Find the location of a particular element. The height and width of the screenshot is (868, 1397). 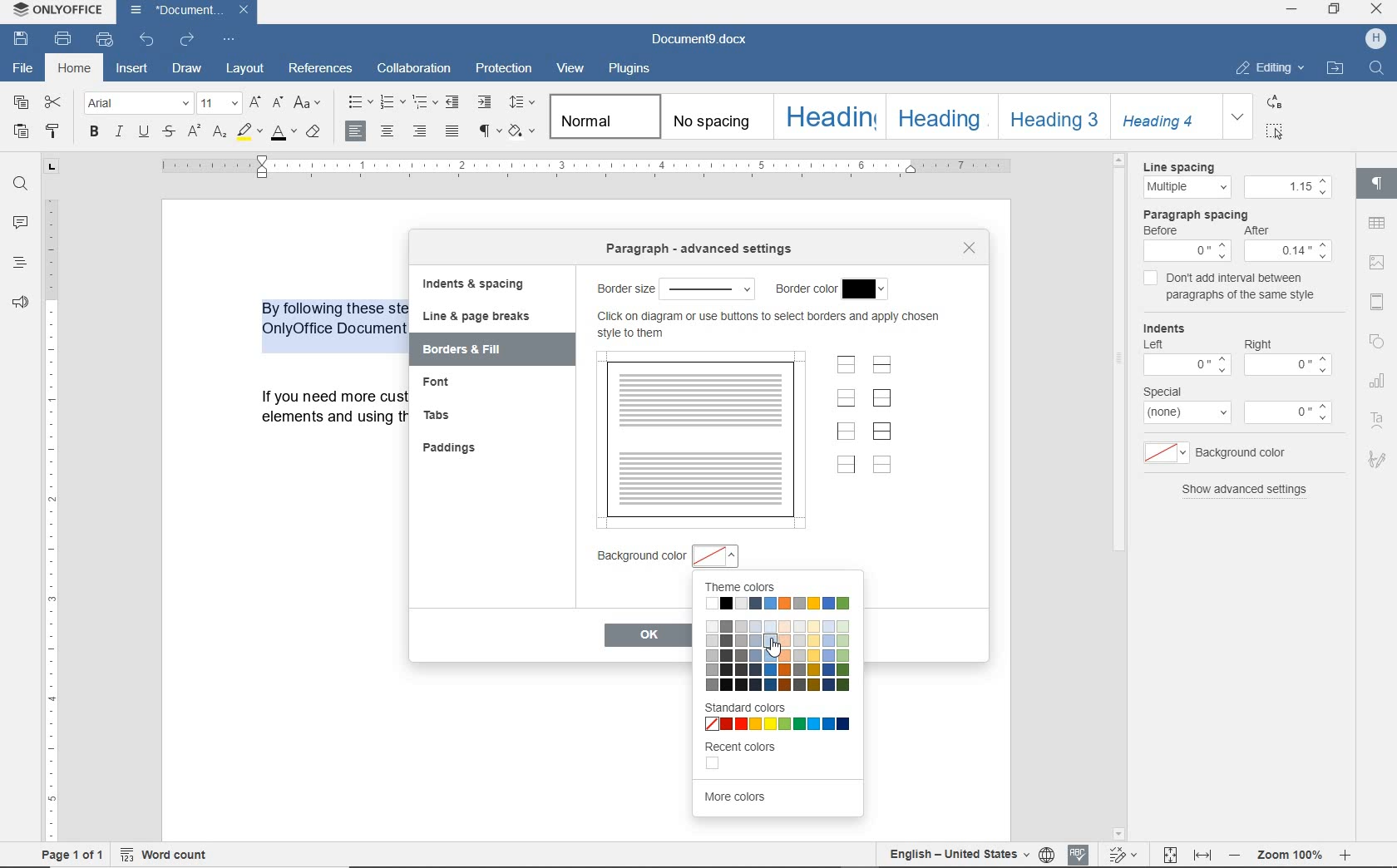

background color is located at coordinates (638, 557).